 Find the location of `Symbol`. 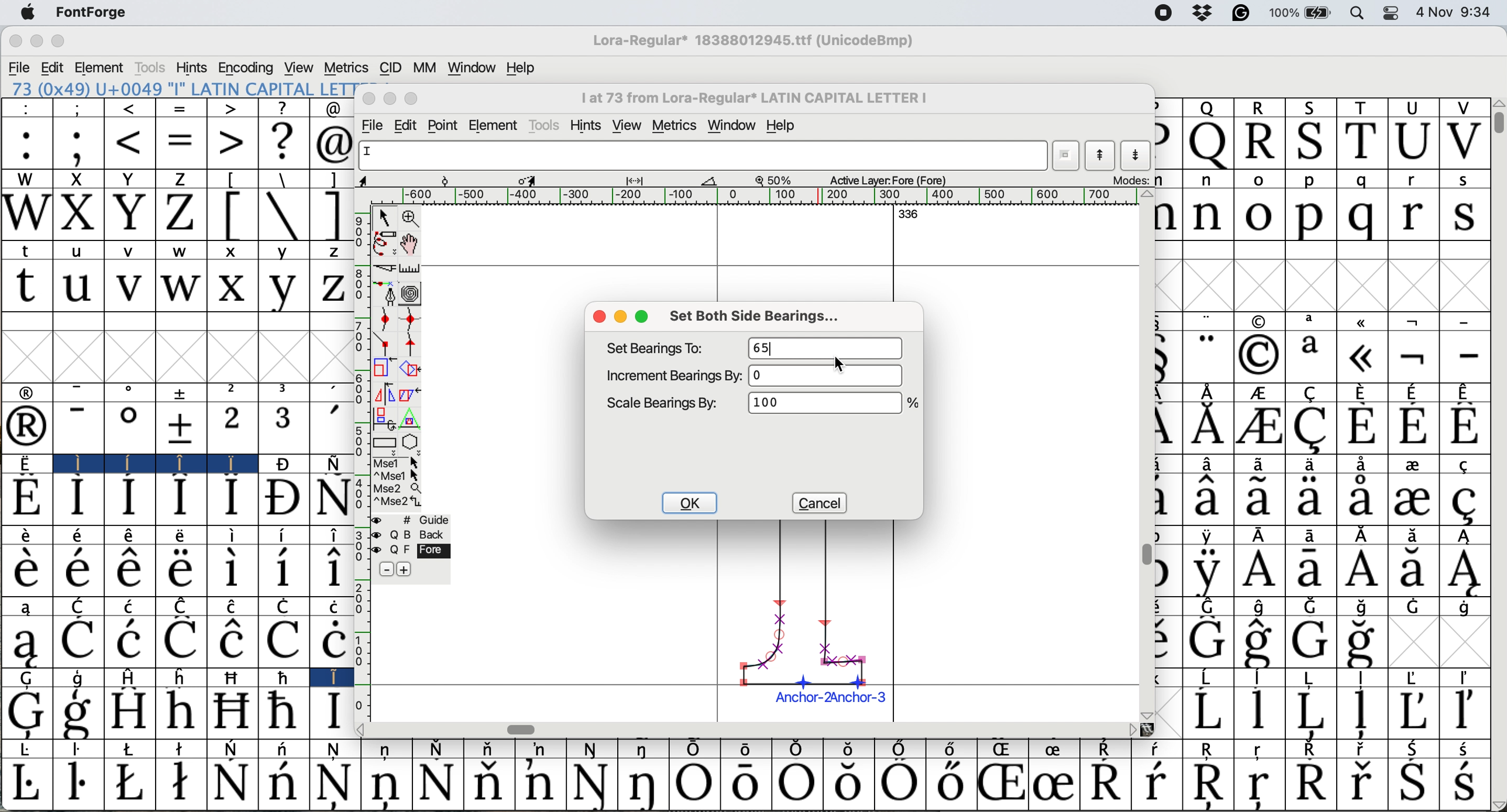

Symbol is located at coordinates (1312, 641).